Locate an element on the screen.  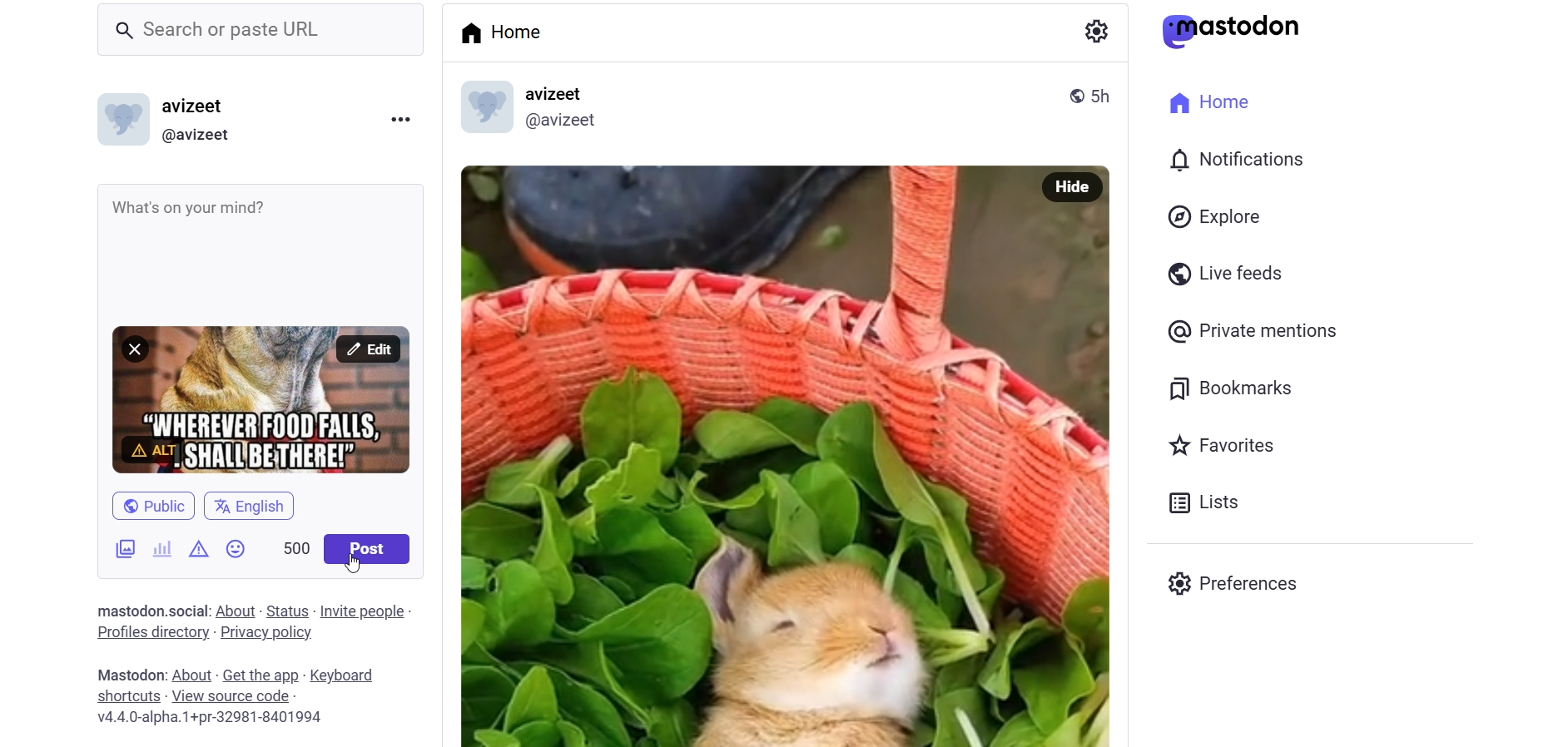
id is located at coordinates (568, 123).